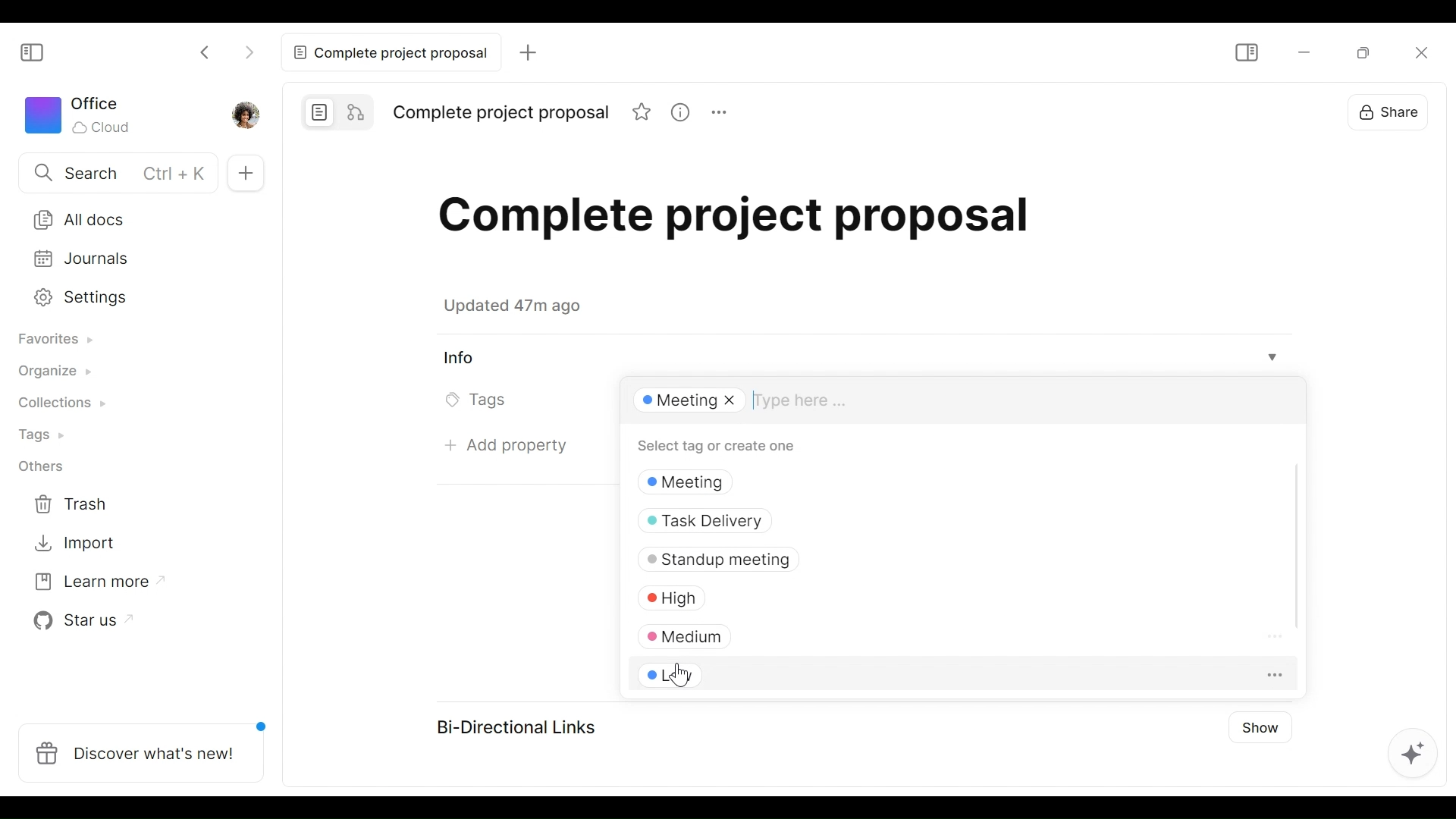 The width and height of the screenshot is (1456, 819). What do you see at coordinates (80, 623) in the screenshot?
I see `Star us` at bounding box center [80, 623].